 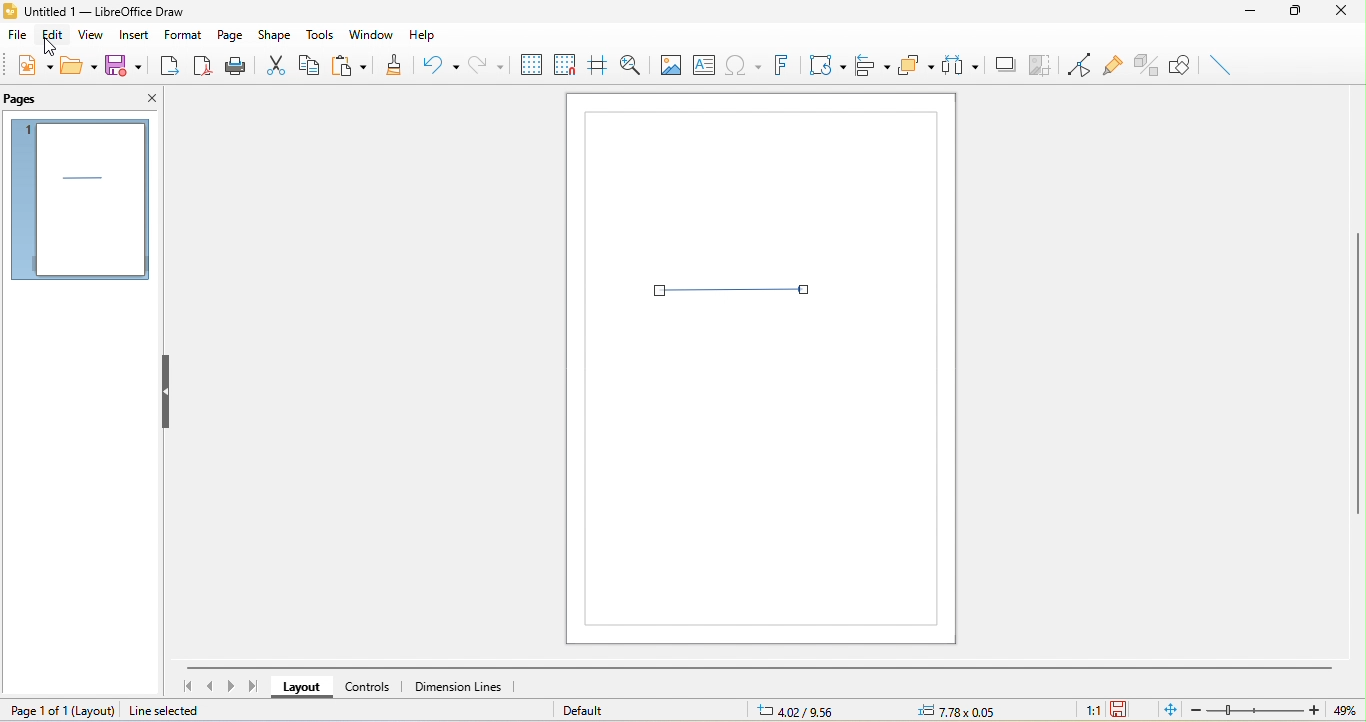 I want to click on layout, so click(x=298, y=688).